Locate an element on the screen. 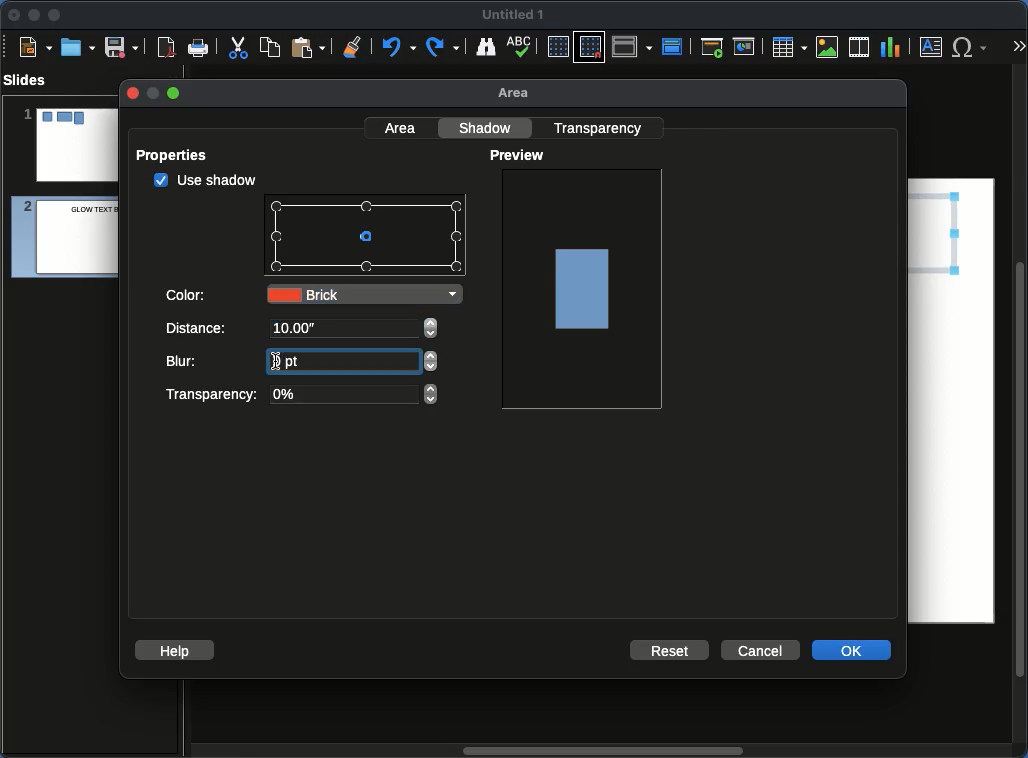 This screenshot has width=1028, height=758. 10.00 is located at coordinates (295, 329).